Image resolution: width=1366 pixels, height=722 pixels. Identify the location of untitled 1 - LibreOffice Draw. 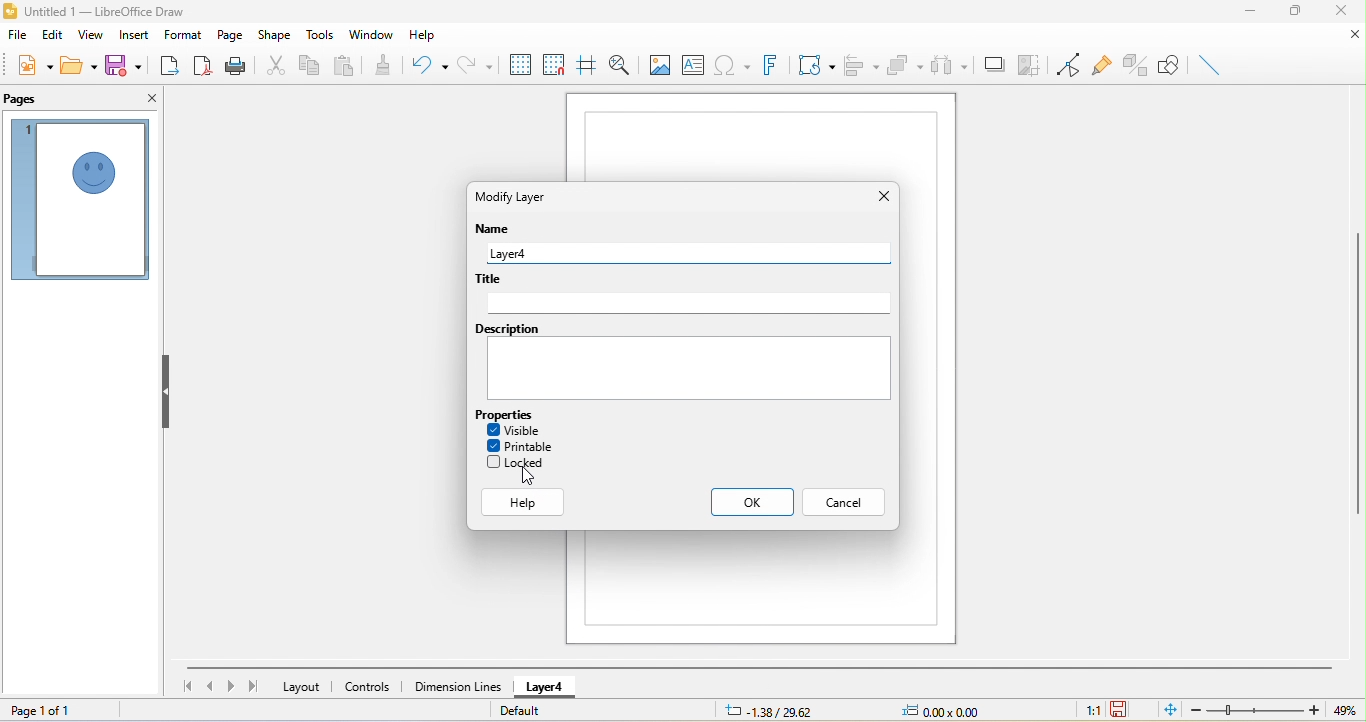
(107, 12).